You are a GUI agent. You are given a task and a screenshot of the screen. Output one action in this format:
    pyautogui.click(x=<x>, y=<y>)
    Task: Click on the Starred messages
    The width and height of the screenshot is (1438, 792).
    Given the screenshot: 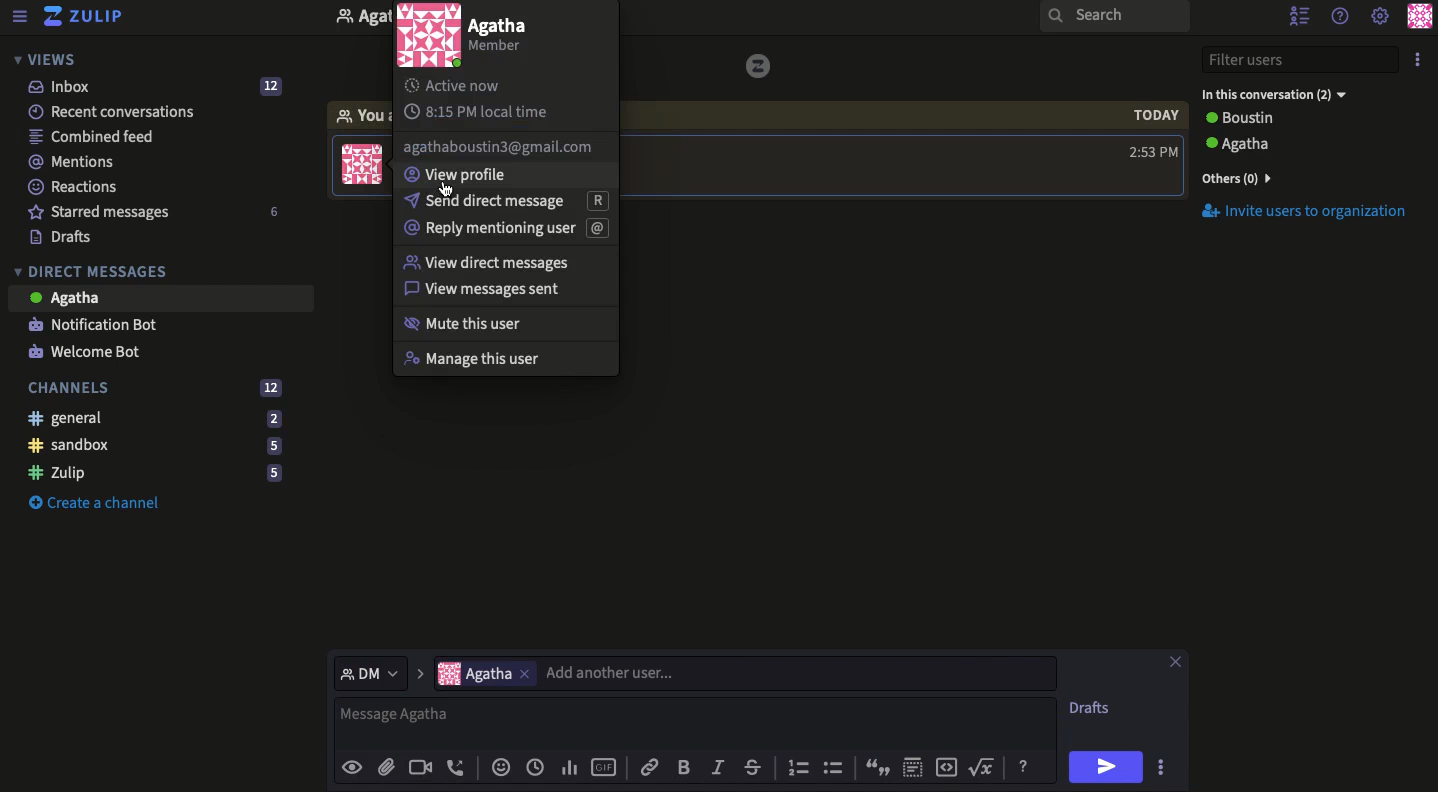 What is the action you would take?
    pyautogui.click(x=156, y=211)
    